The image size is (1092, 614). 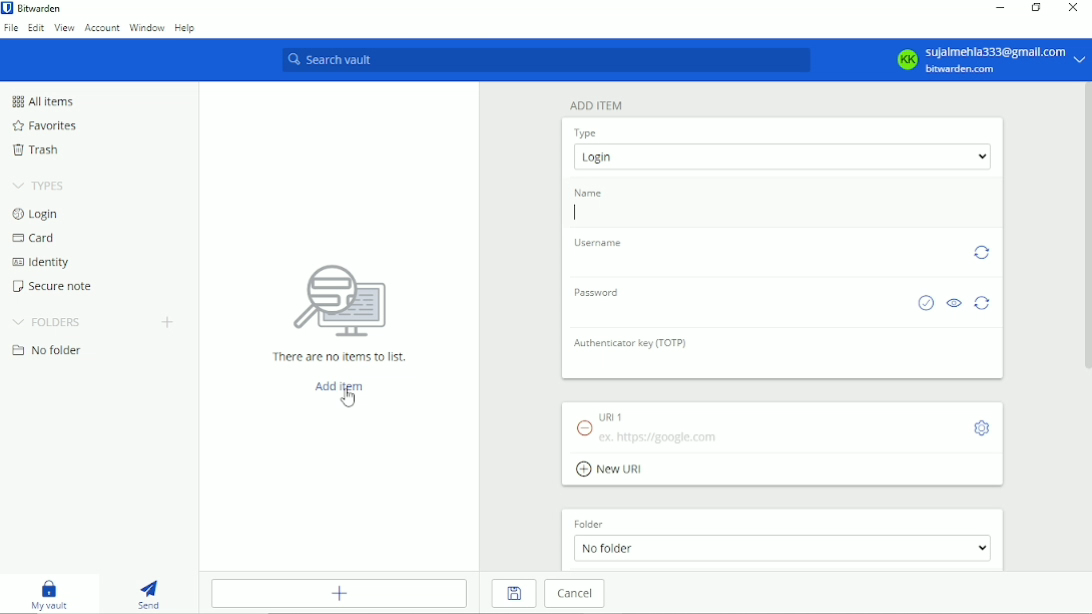 What do you see at coordinates (35, 238) in the screenshot?
I see `Card` at bounding box center [35, 238].